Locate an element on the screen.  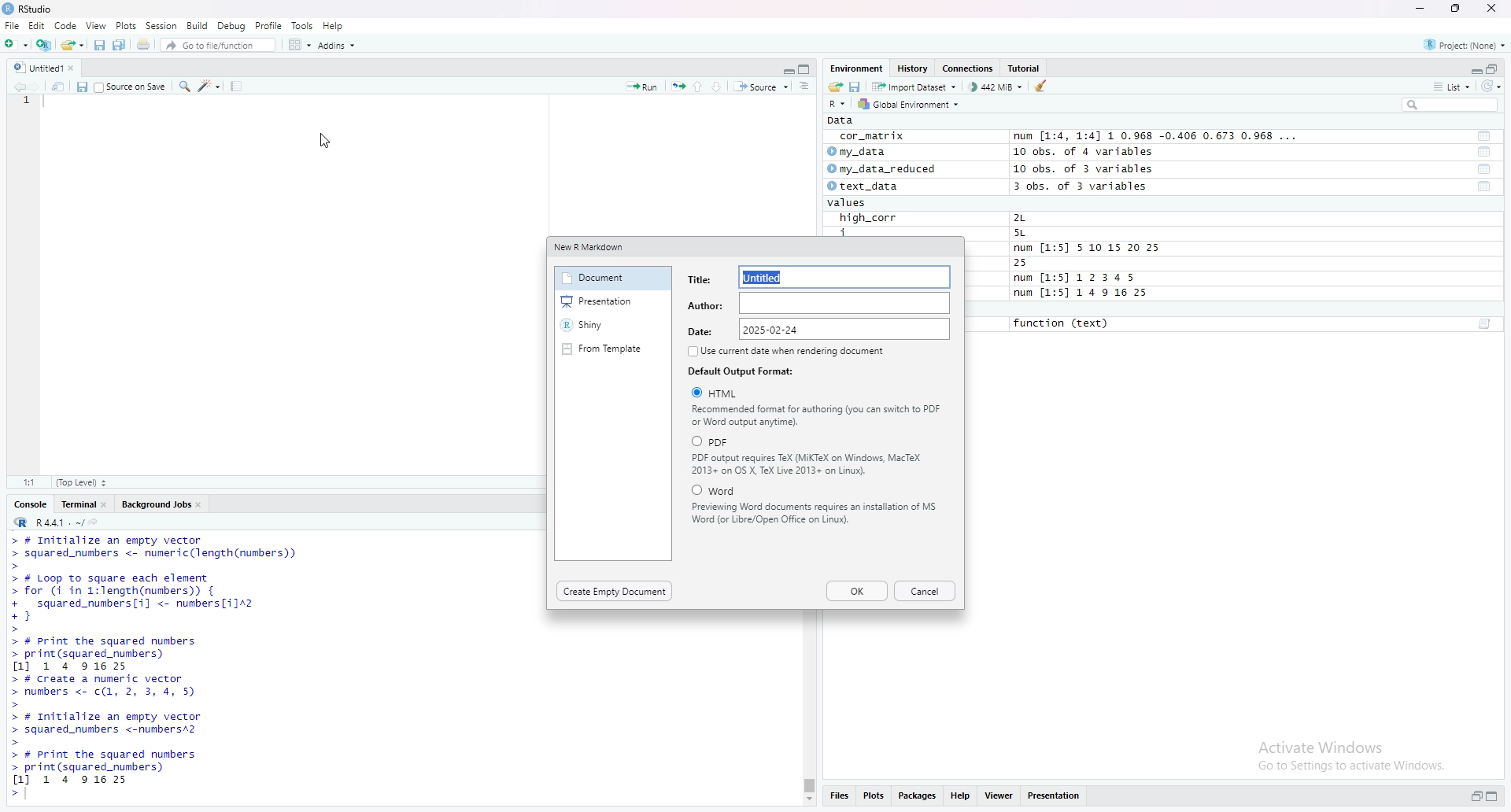
RStudio is located at coordinates (29, 9).